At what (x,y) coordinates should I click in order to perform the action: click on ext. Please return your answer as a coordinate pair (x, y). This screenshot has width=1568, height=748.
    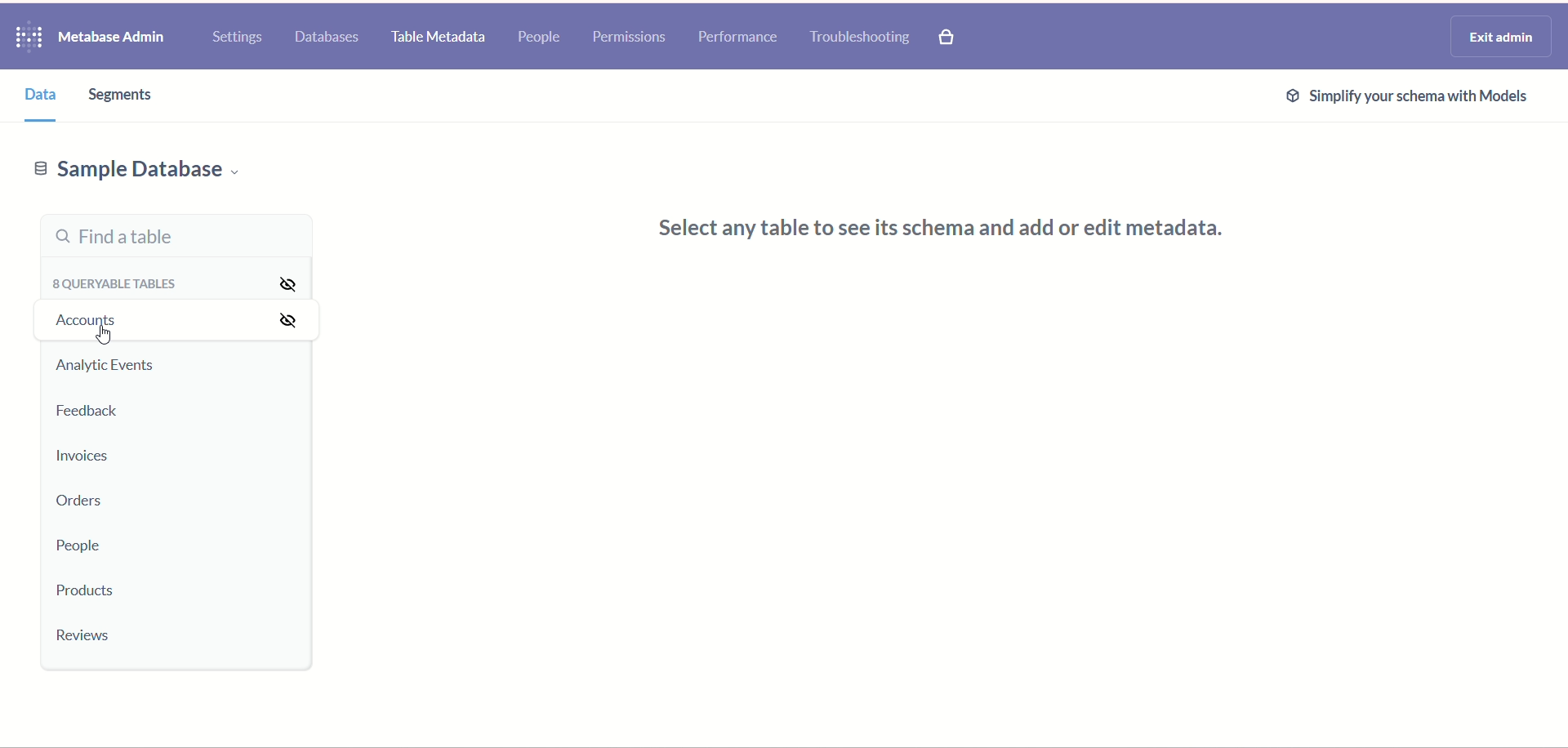
    Looking at the image, I should click on (1407, 95).